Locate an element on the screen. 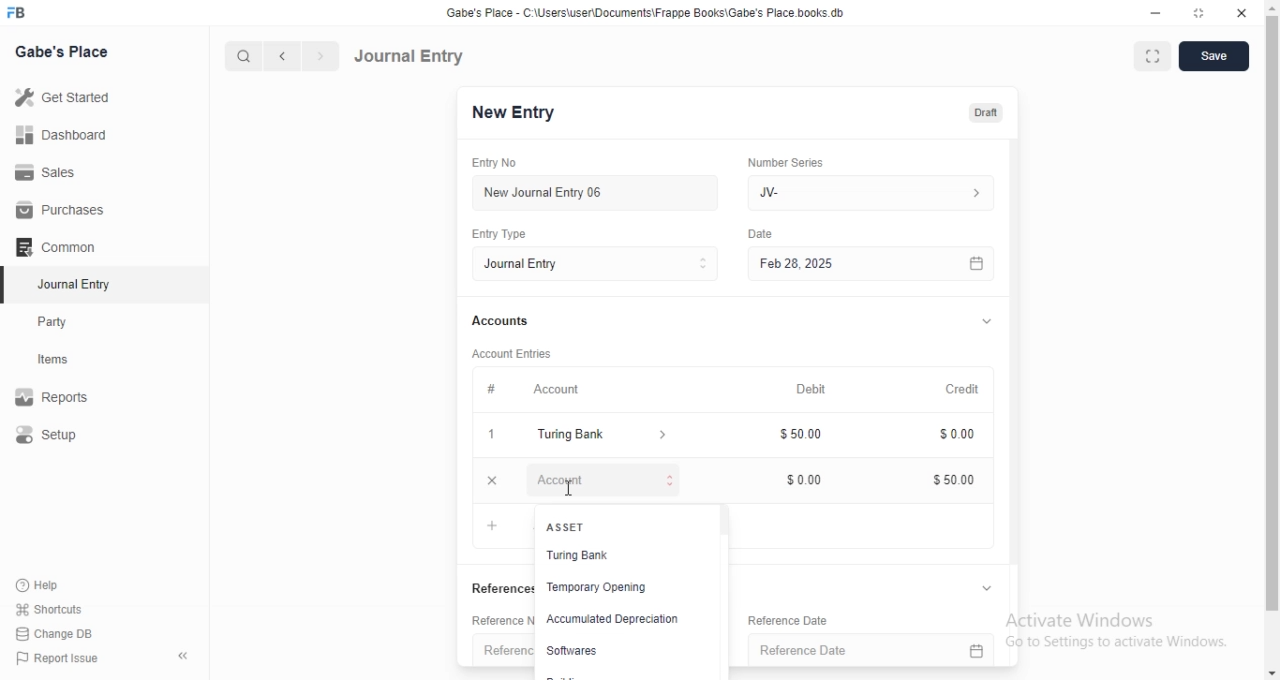 The height and width of the screenshot is (680, 1280). search is located at coordinates (245, 56).